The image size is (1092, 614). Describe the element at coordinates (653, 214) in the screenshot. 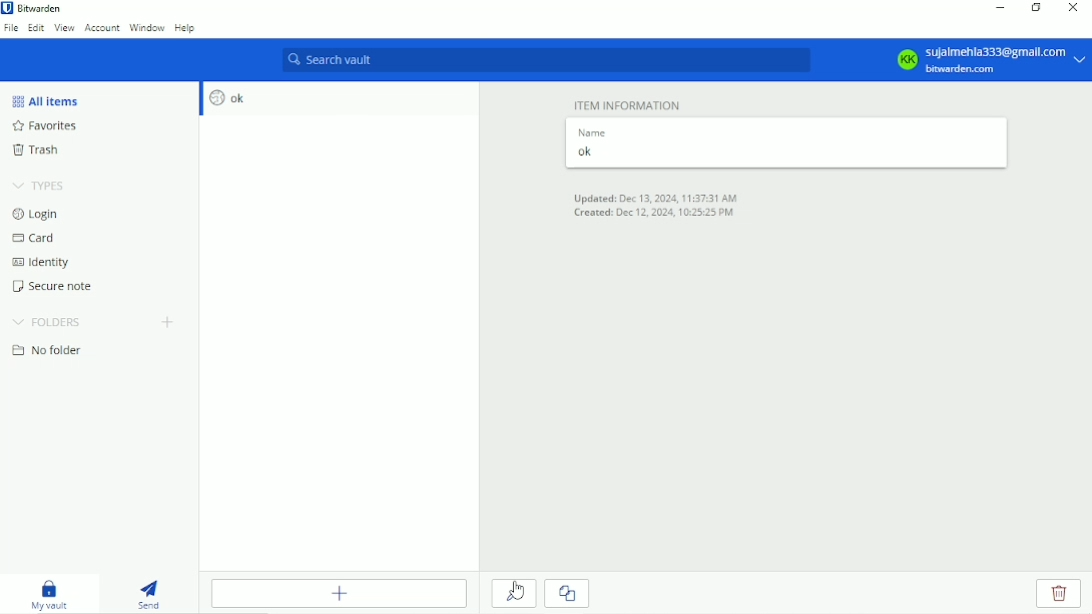

I see `Created on Dec 12, 2024, 10:25:25 PM` at that location.